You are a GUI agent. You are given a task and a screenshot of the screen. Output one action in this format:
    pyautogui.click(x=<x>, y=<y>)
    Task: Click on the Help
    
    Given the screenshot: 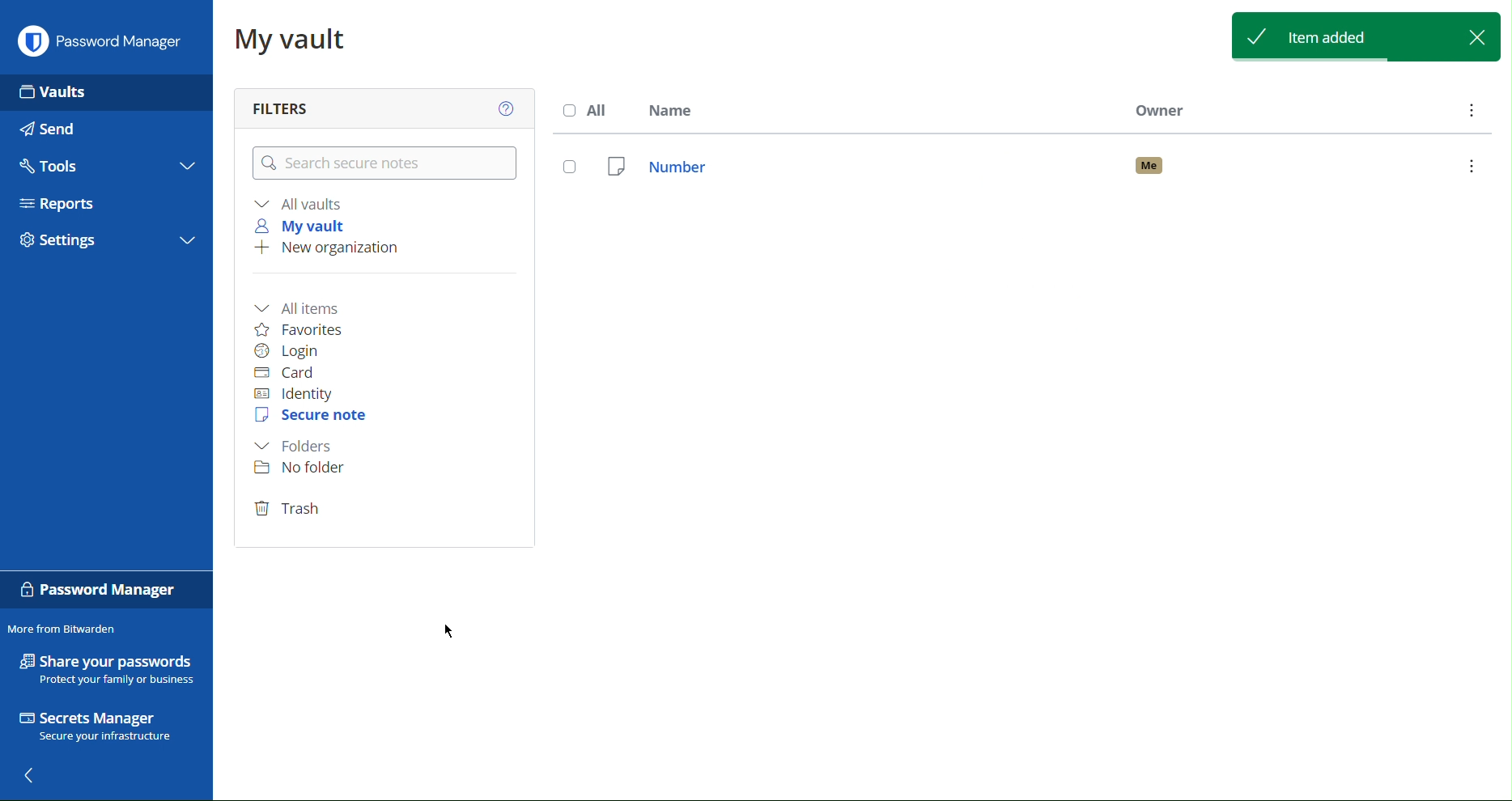 What is the action you would take?
    pyautogui.click(x=507, y=108)
    